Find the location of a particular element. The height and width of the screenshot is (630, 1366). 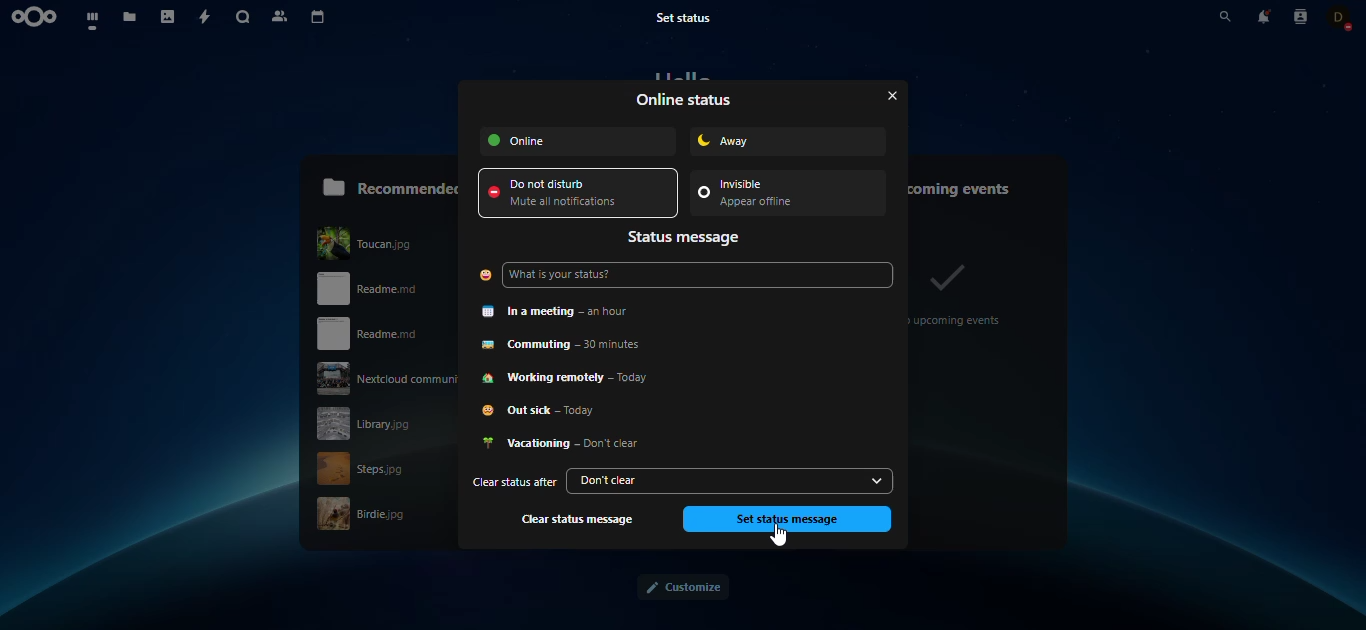

don't clear is located at coordinates (715, 480).